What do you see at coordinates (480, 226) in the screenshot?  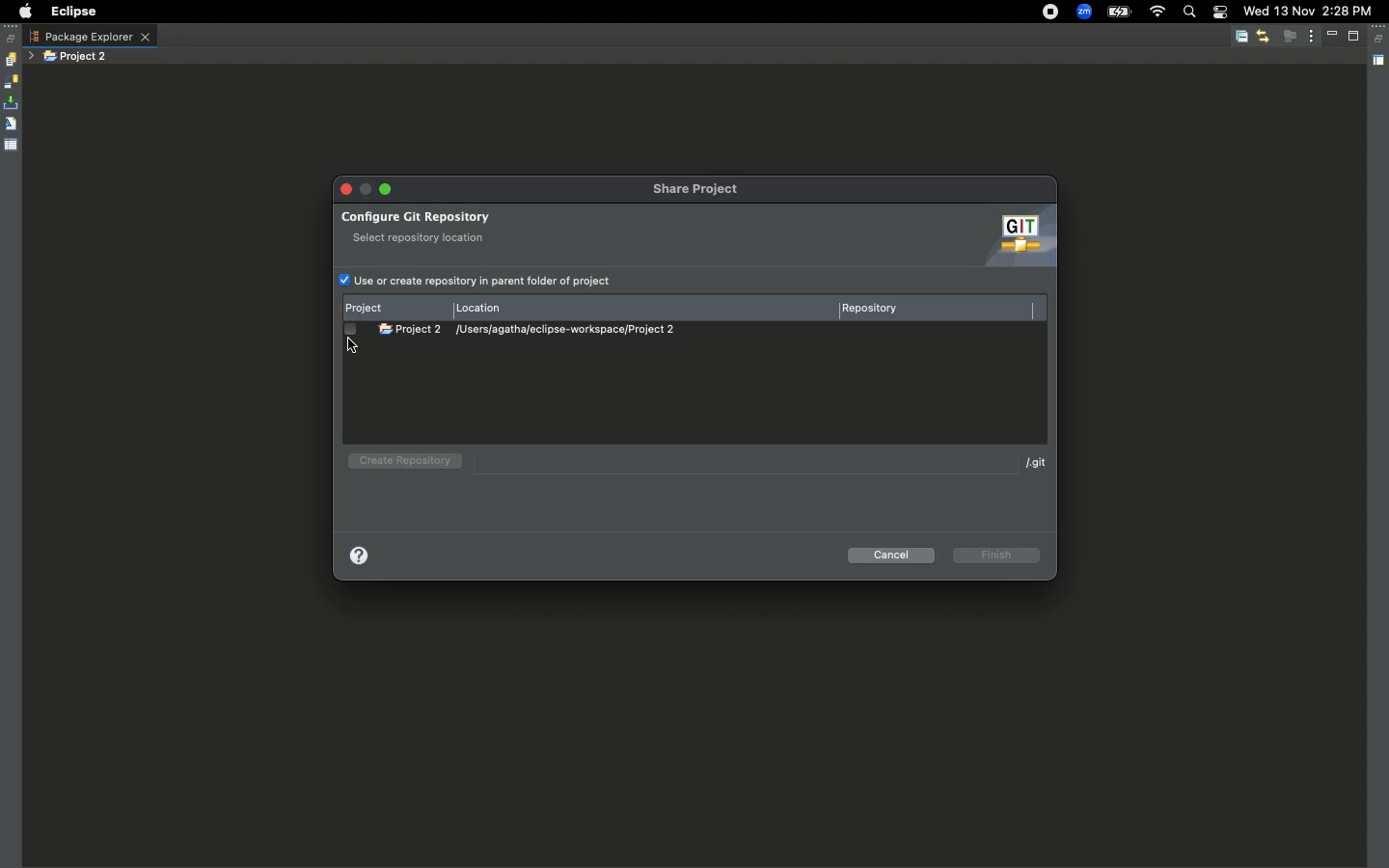 I see `Configure Git repository Select an existing repository or create a new one` at bounding box center [480, 226].